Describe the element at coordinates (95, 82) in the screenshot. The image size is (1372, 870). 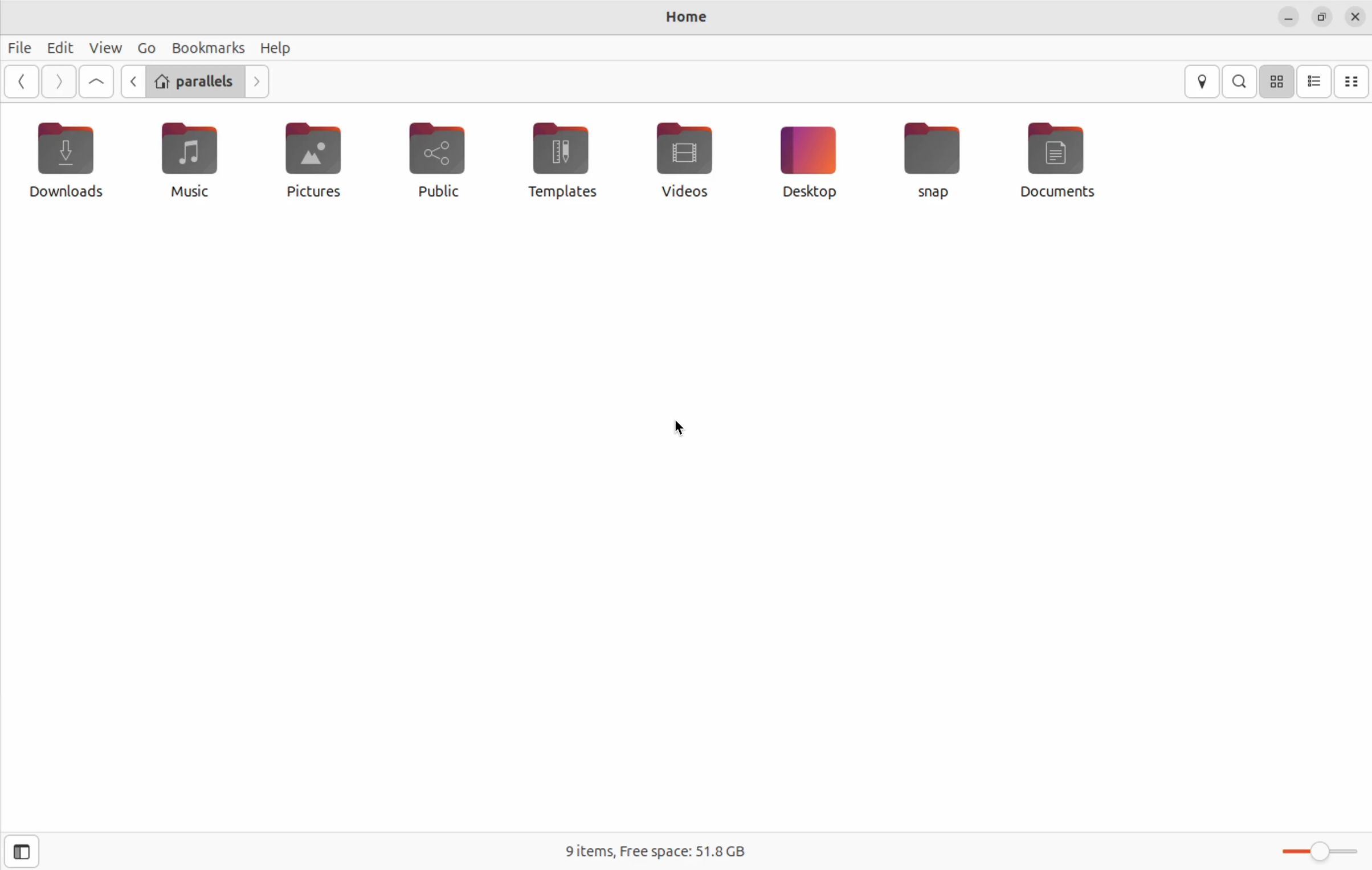
I see `Go first` at that location.